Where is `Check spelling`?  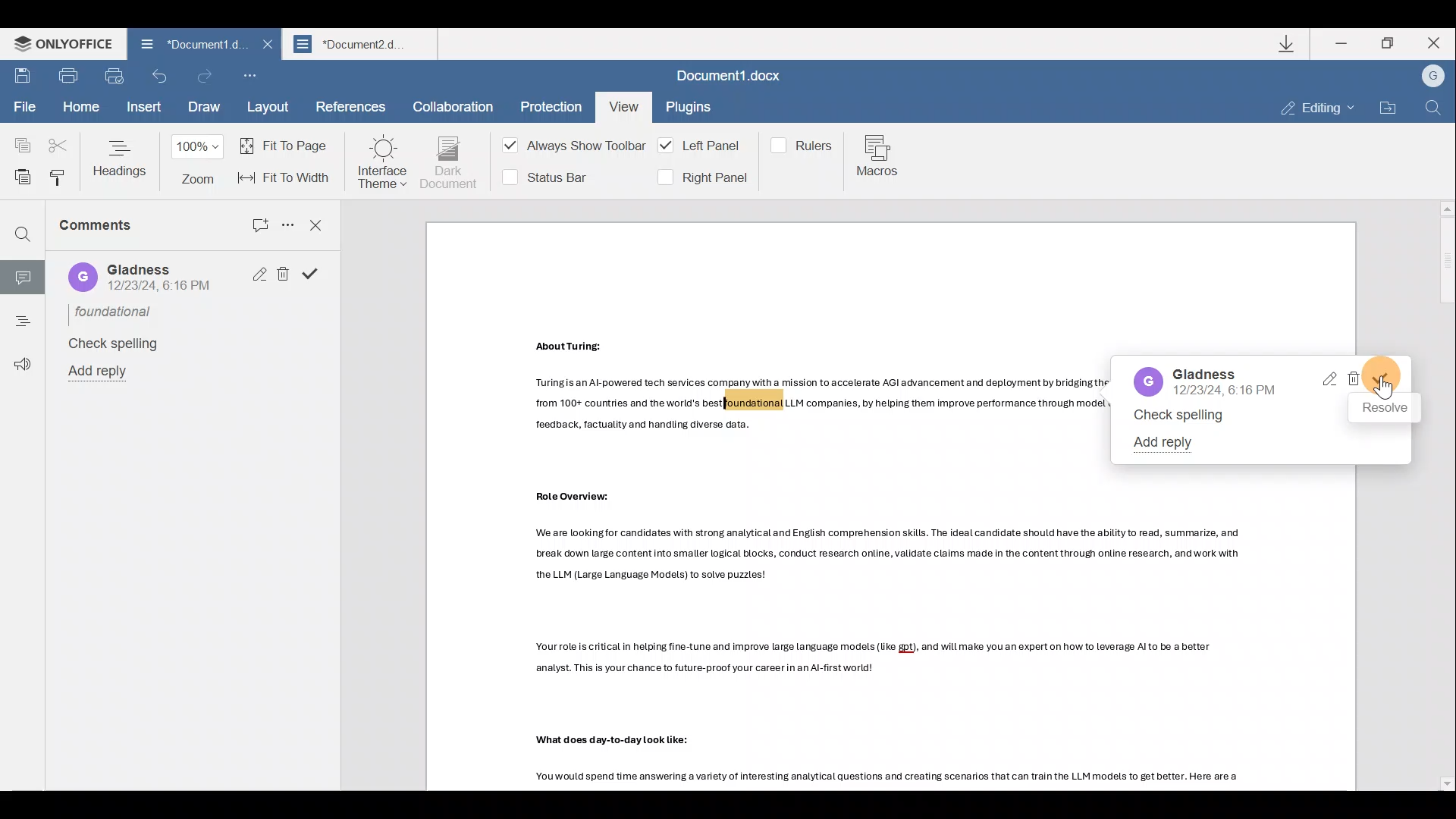
Check spelling is located at coordinates (111, 344).